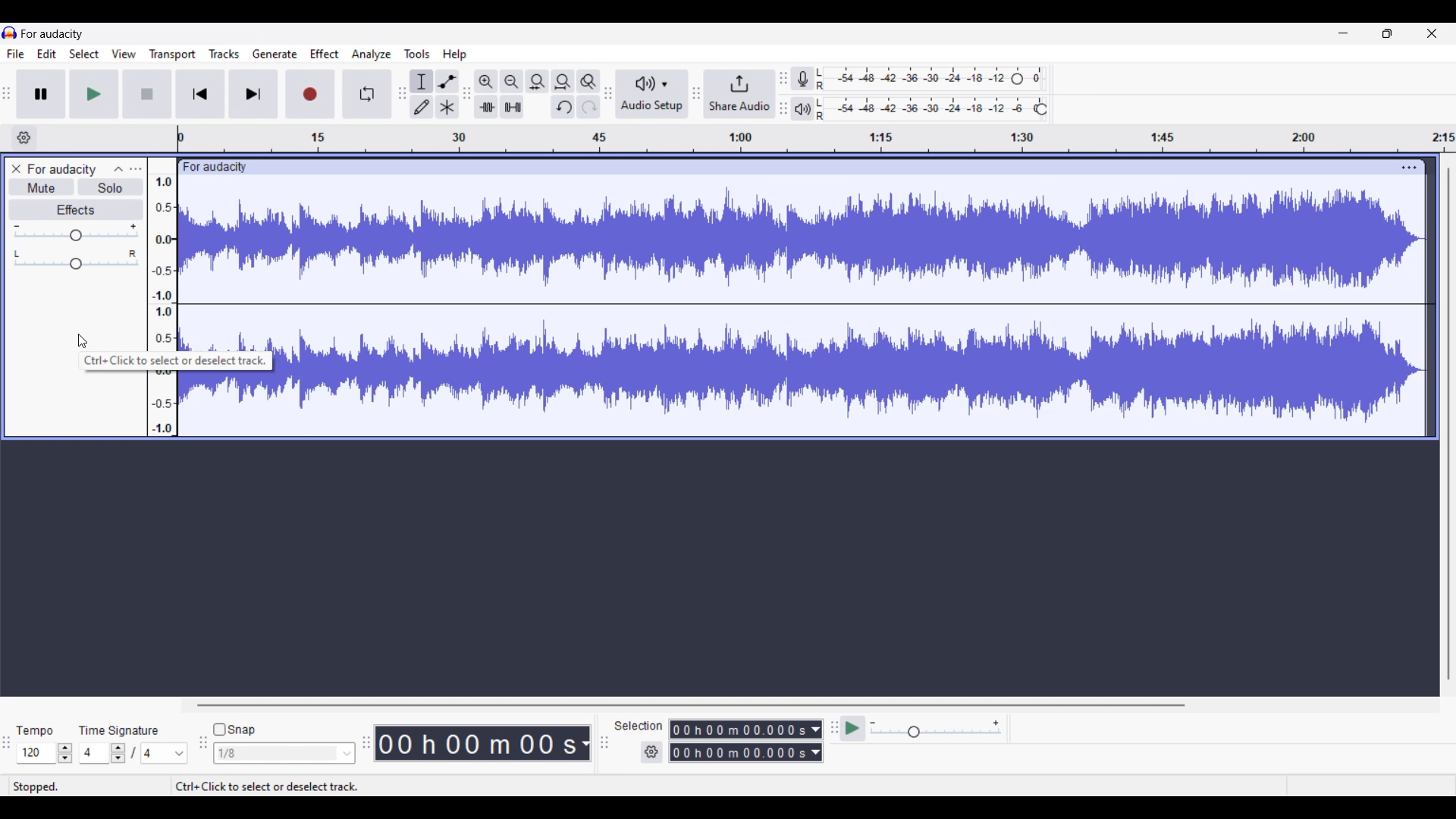 The width and height of the screenshot is (1456, 819). What do you see at coordinates (119, 731) in the screenshot?
I see `Indicates time signature settings ` at bounding box center [119, 731].